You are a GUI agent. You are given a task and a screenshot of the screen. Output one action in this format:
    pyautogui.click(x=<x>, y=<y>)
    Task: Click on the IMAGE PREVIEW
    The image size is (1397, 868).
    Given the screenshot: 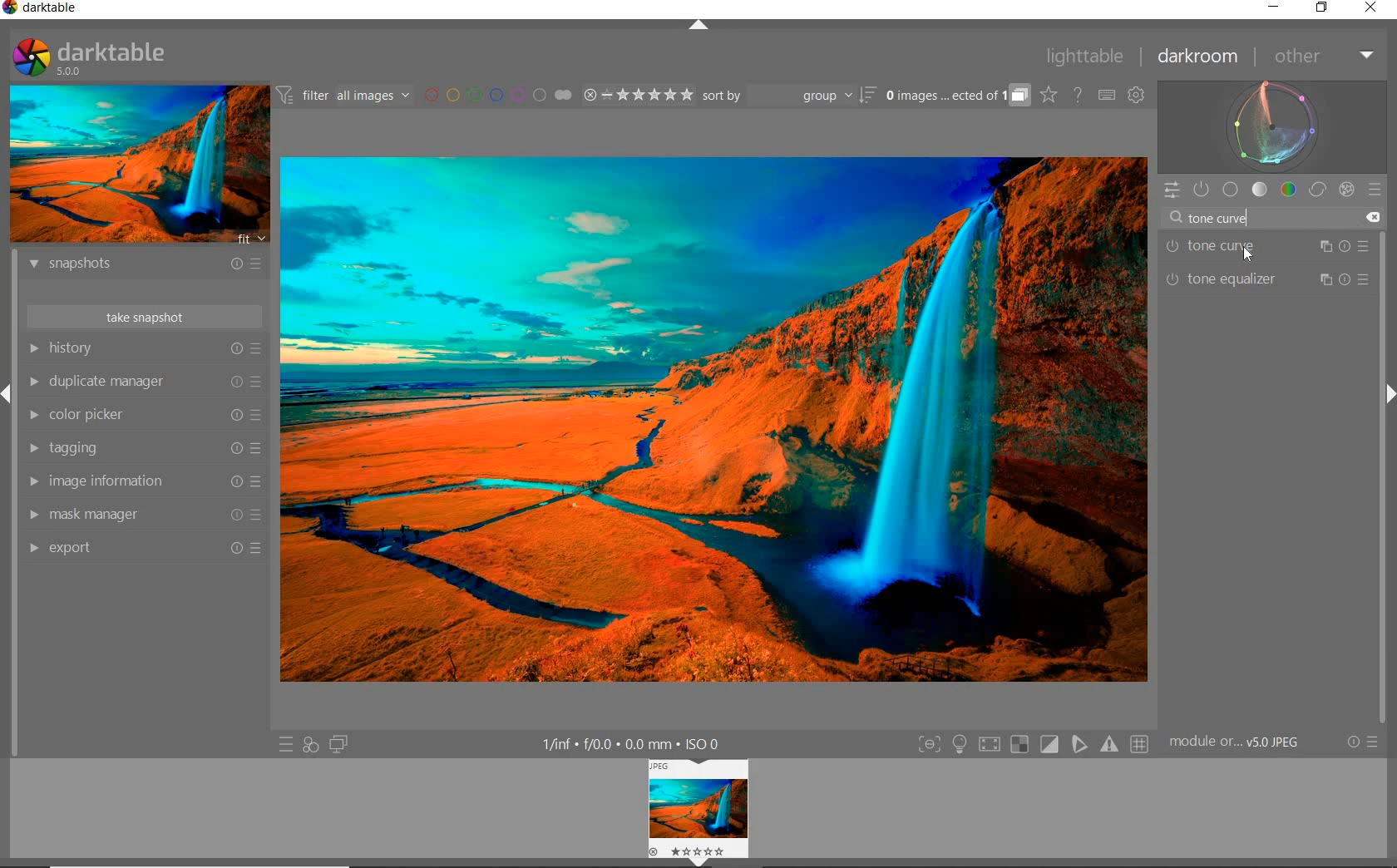 What is the action you would take?
    pyautogui.click(x=137, y=165)
    